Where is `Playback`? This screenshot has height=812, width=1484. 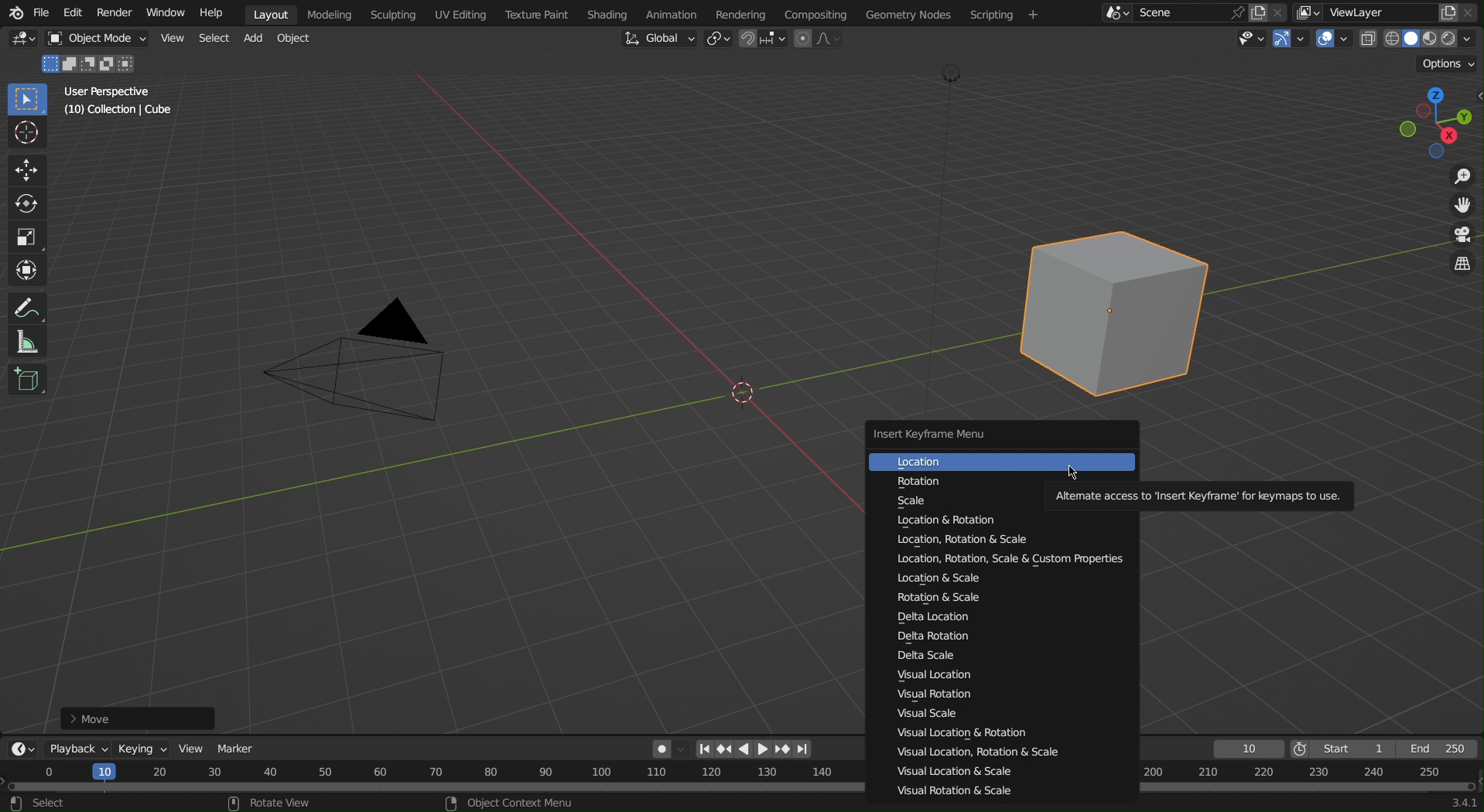
Playback is located at coordinates (74, 749).